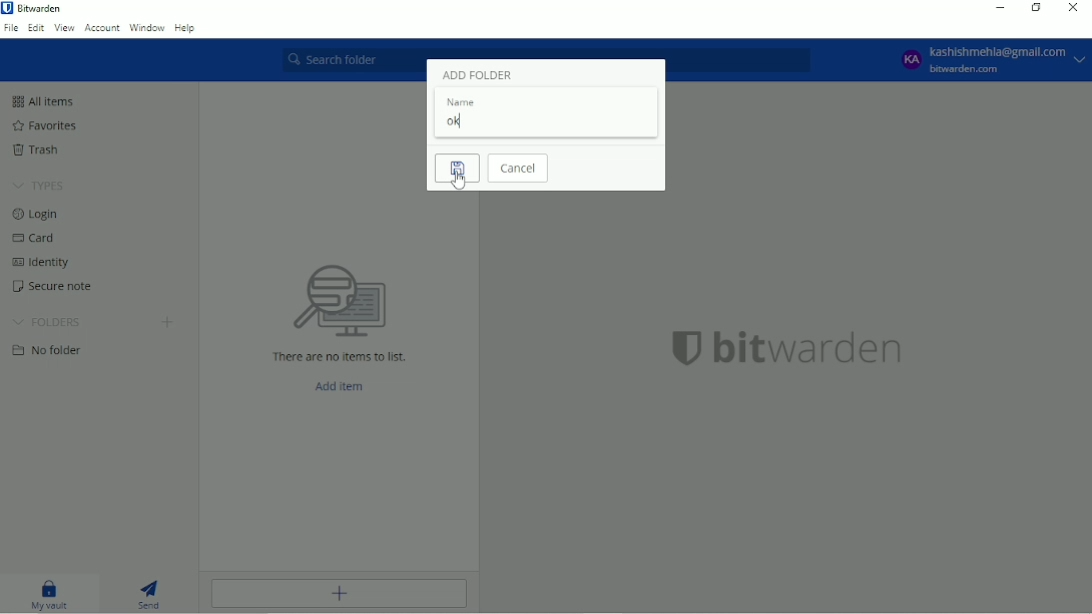 This screenshot has width=1092, height=614. Describe the element at coordinates (40, 215) in the screenshot. I see `Login` at that location.